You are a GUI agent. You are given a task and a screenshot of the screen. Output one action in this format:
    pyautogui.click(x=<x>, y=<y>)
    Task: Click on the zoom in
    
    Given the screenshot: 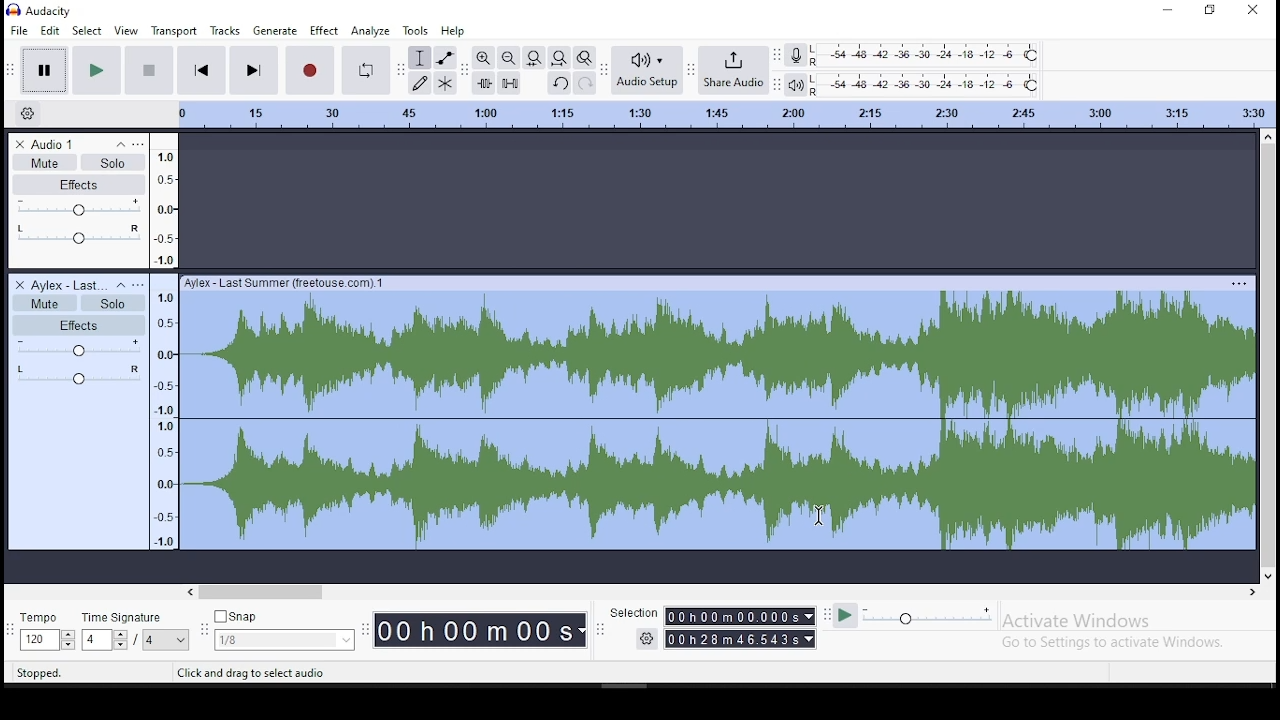 What is the action you would take?
    pyautogui.click(x=483, y=58)
    